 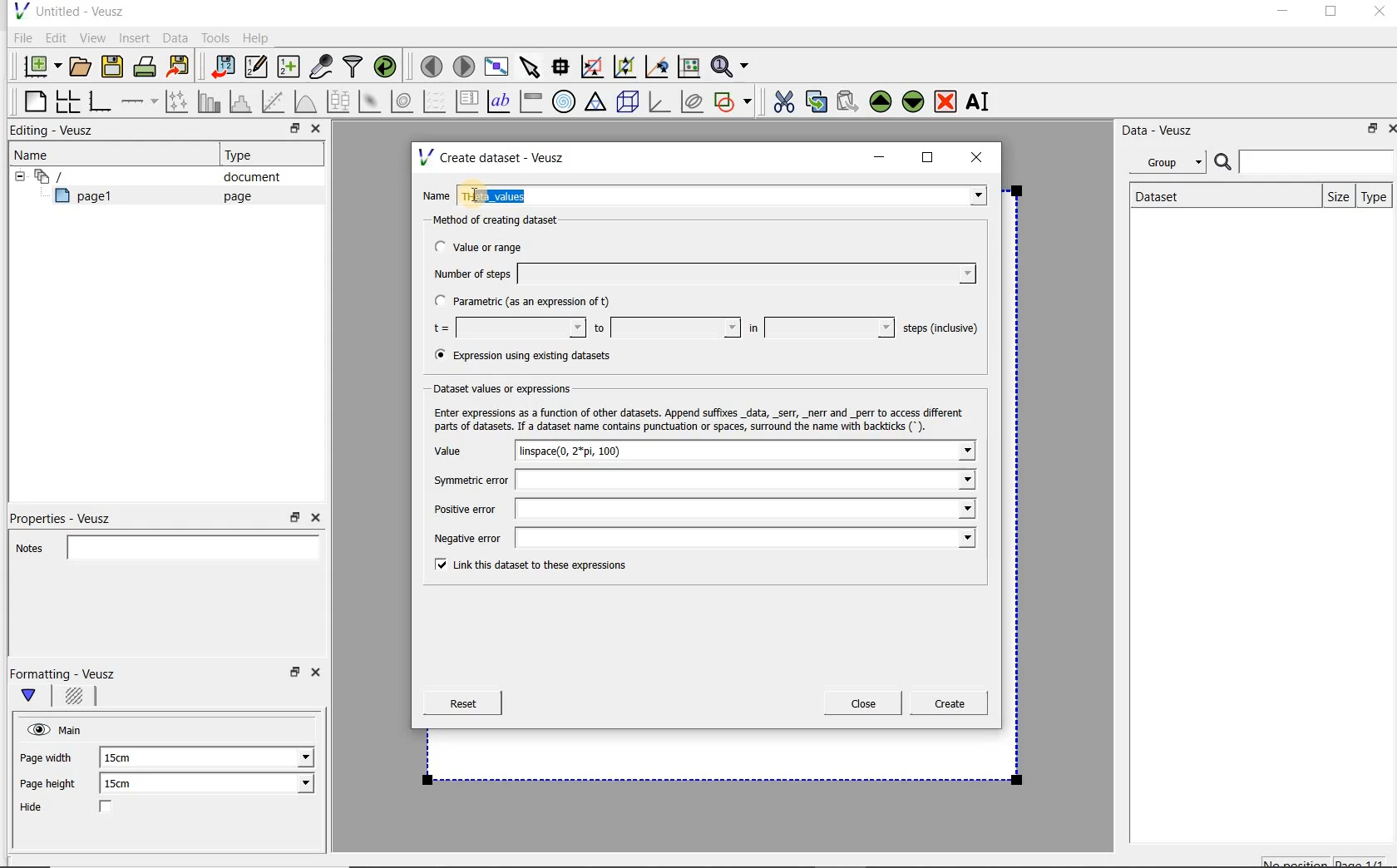 I want to click on click to zoom out of graph axes, so click(x=625, y=67).